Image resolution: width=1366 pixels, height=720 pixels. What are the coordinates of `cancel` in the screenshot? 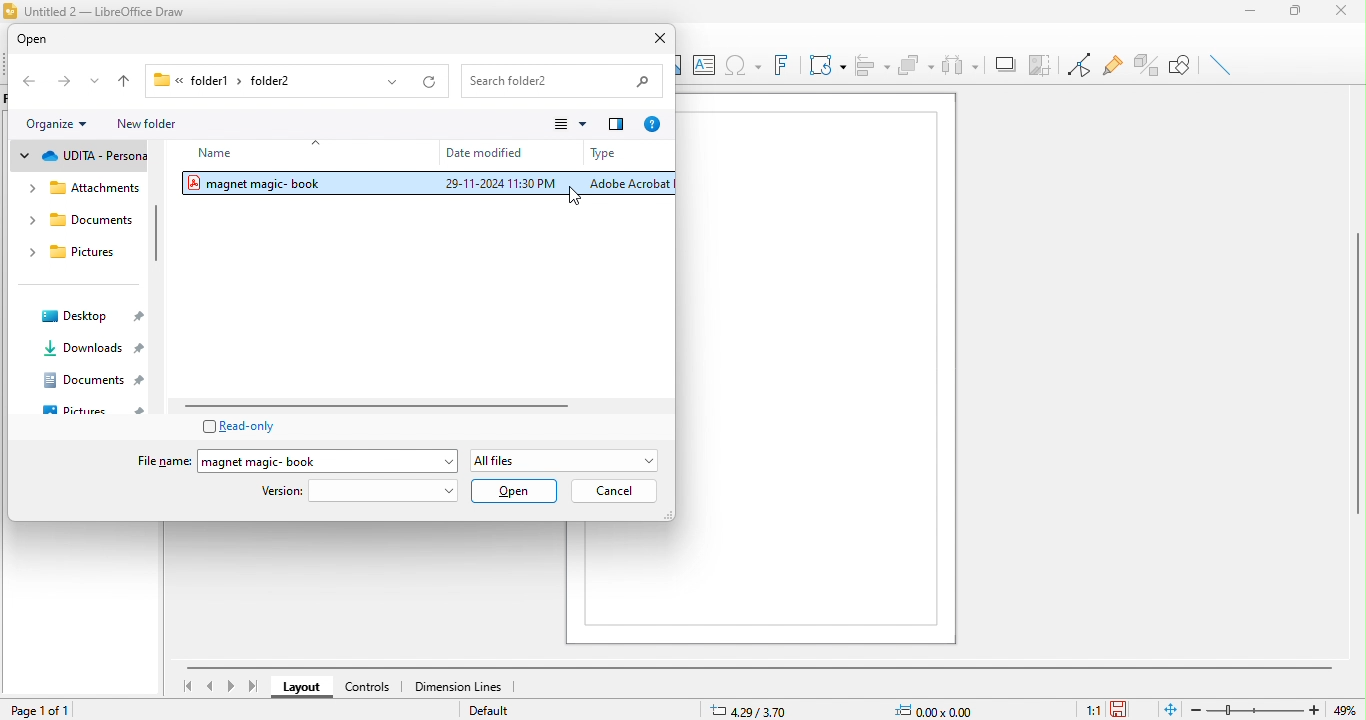 It's located at (614, 492).